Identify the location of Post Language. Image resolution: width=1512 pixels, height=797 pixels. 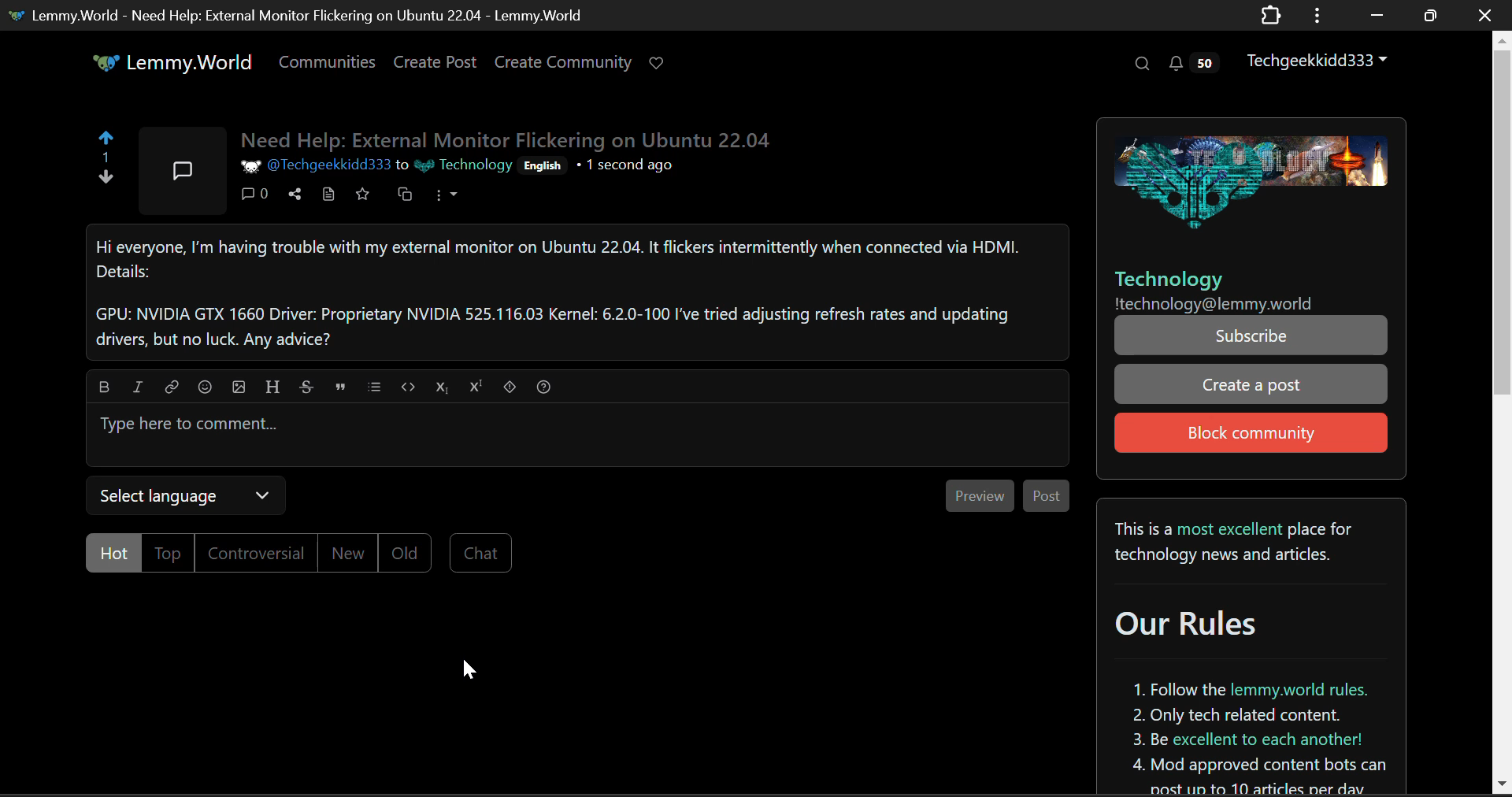
(544, 169).